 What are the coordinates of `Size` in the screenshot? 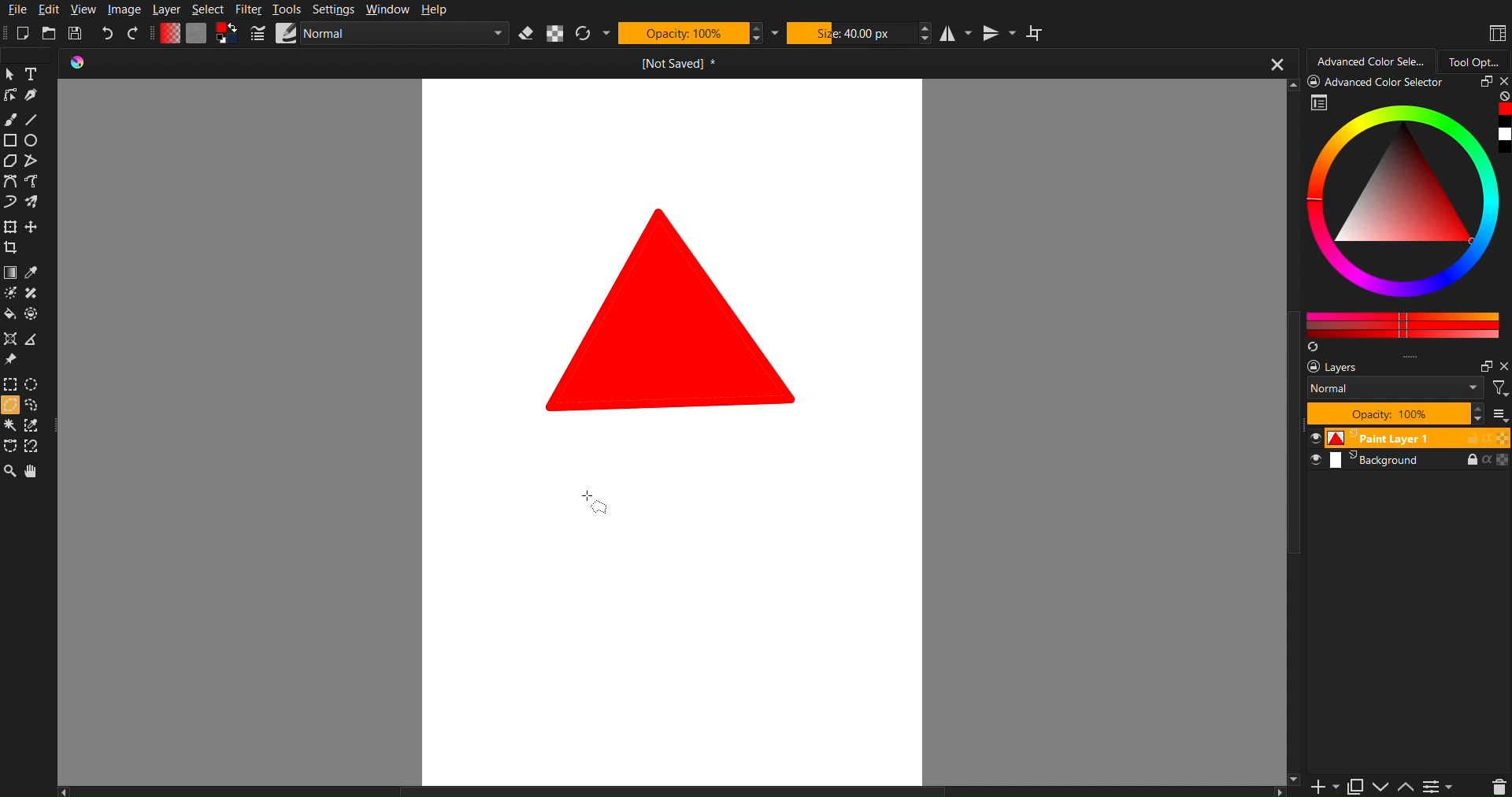 It's located at (850, 32).